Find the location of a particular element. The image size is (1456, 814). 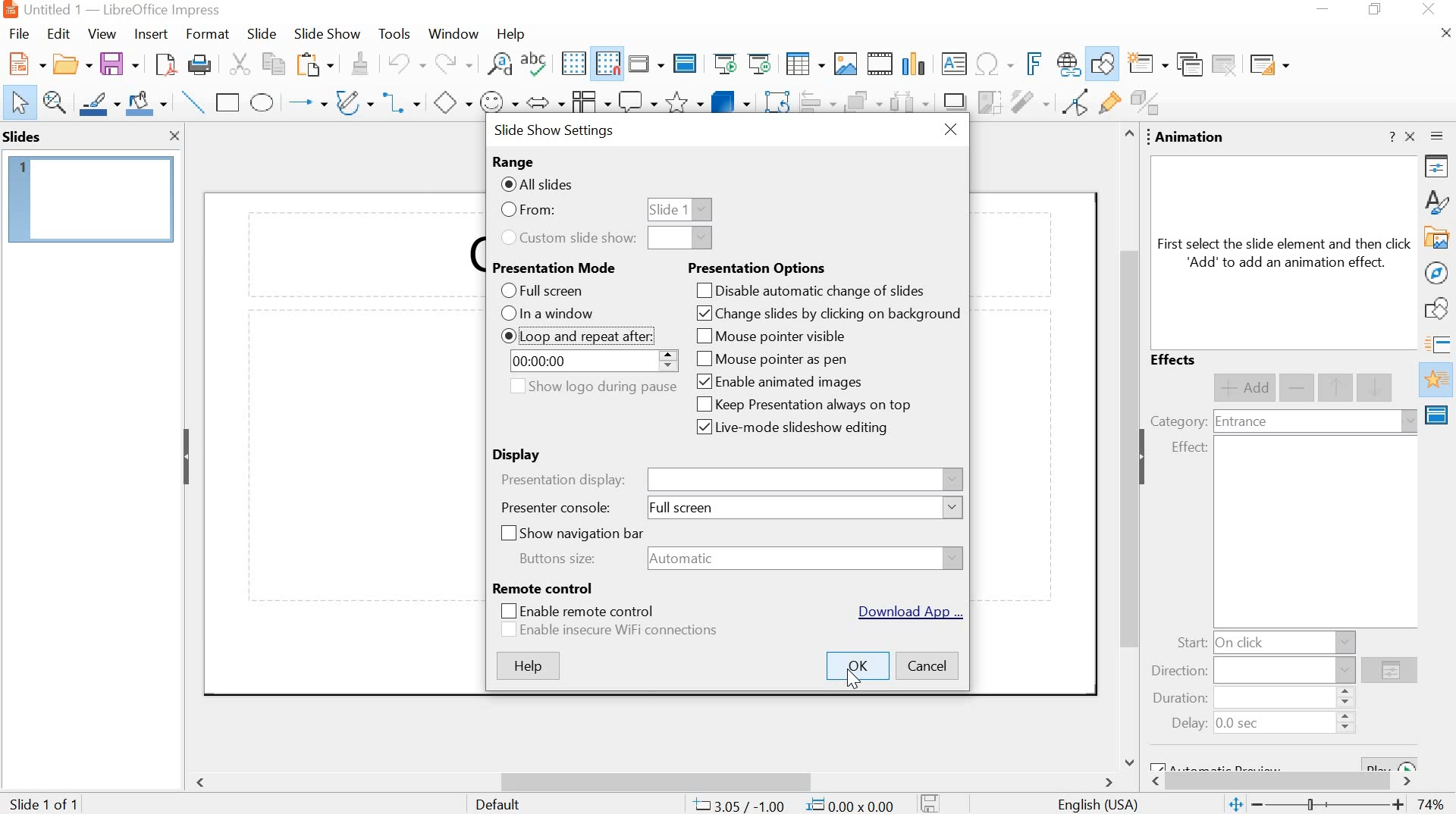

redo is located at coordinates (451, 64).